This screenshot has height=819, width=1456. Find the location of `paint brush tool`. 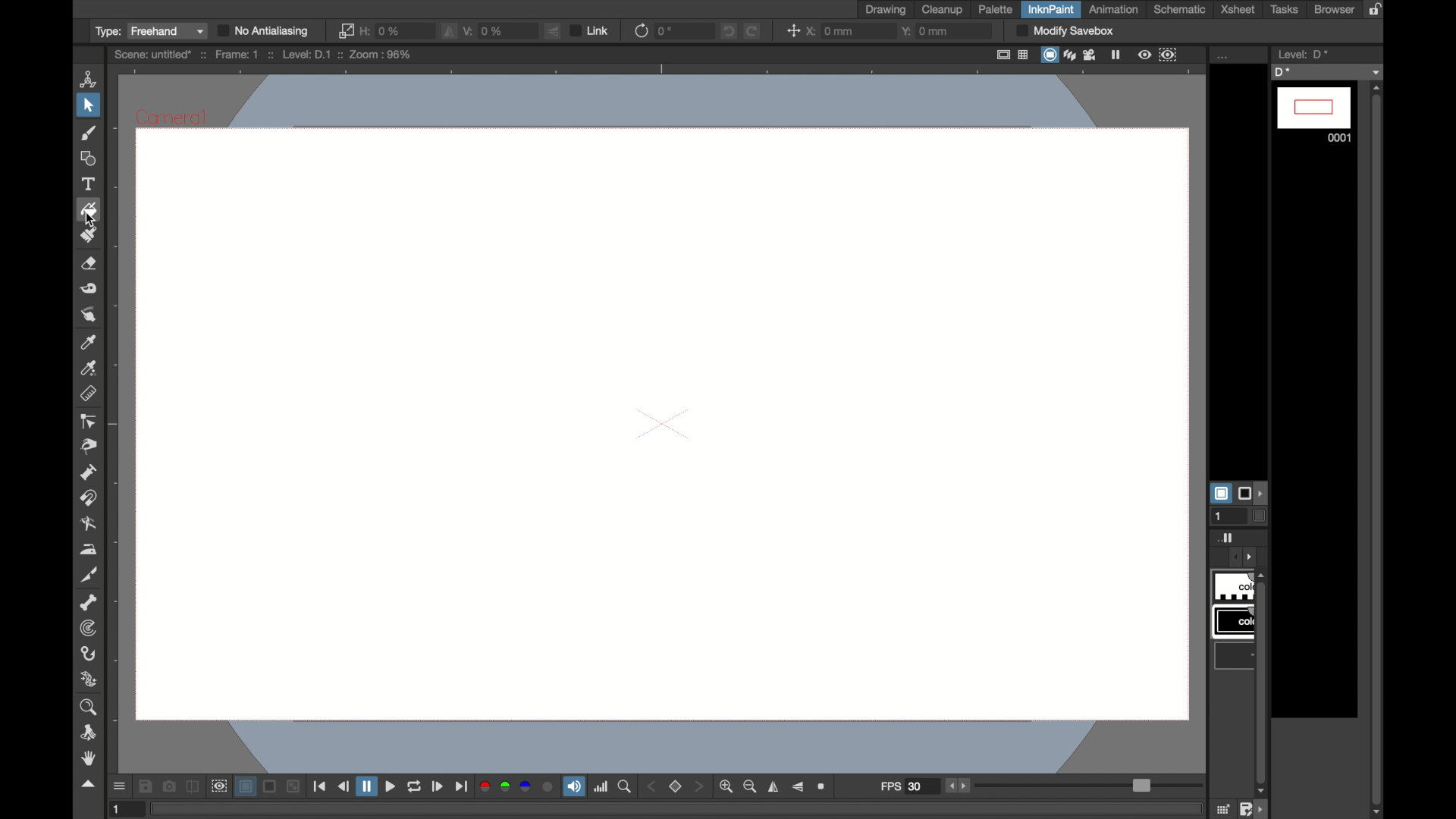

paint brush tool is located at coordinates (88, 235).